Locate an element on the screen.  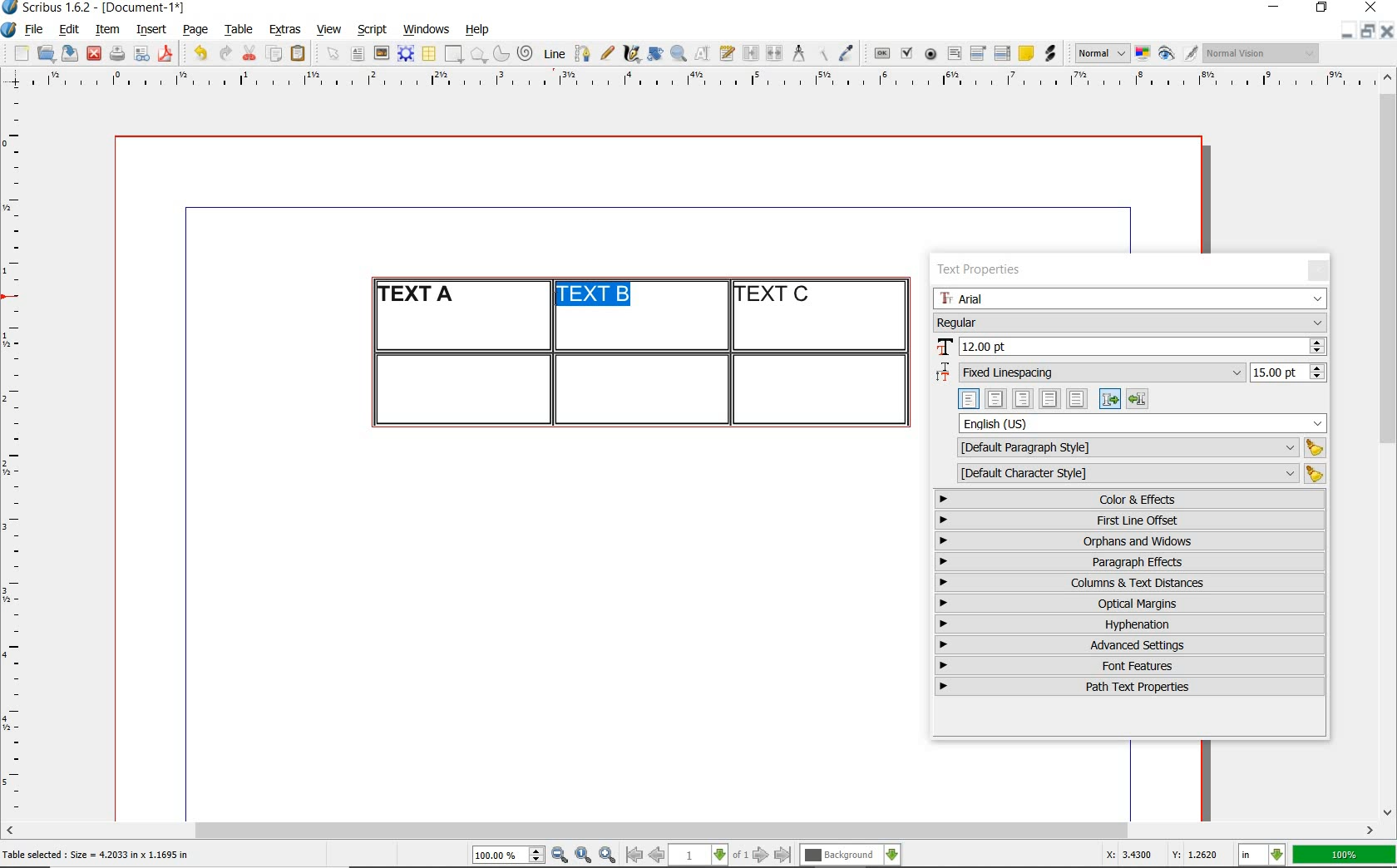
rotate item is located at coordinates (655, 53).